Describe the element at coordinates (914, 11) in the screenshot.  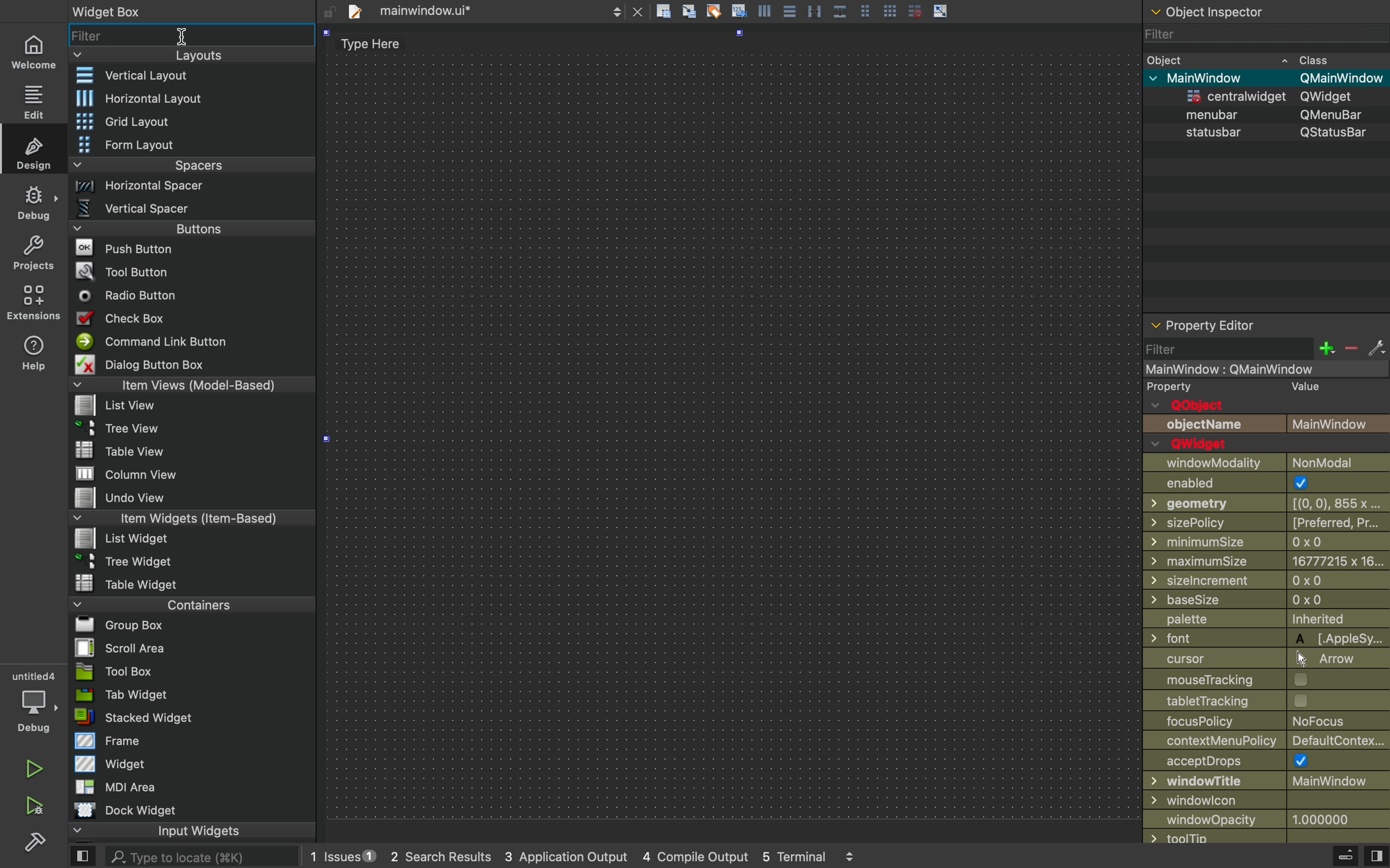
I see `grid` at that location.